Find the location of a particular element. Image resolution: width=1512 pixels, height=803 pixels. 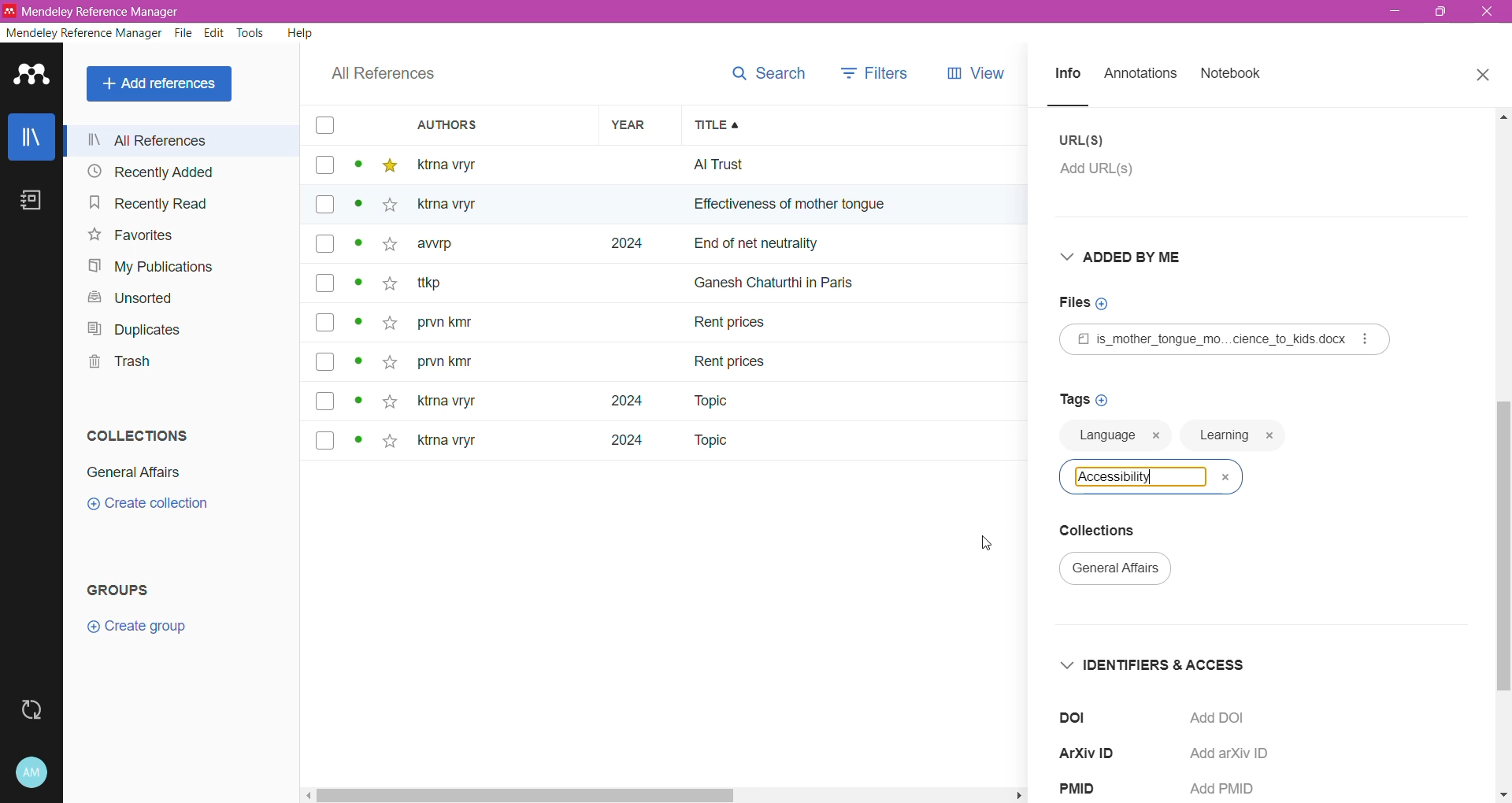

star is located at coordinates (384, 250).